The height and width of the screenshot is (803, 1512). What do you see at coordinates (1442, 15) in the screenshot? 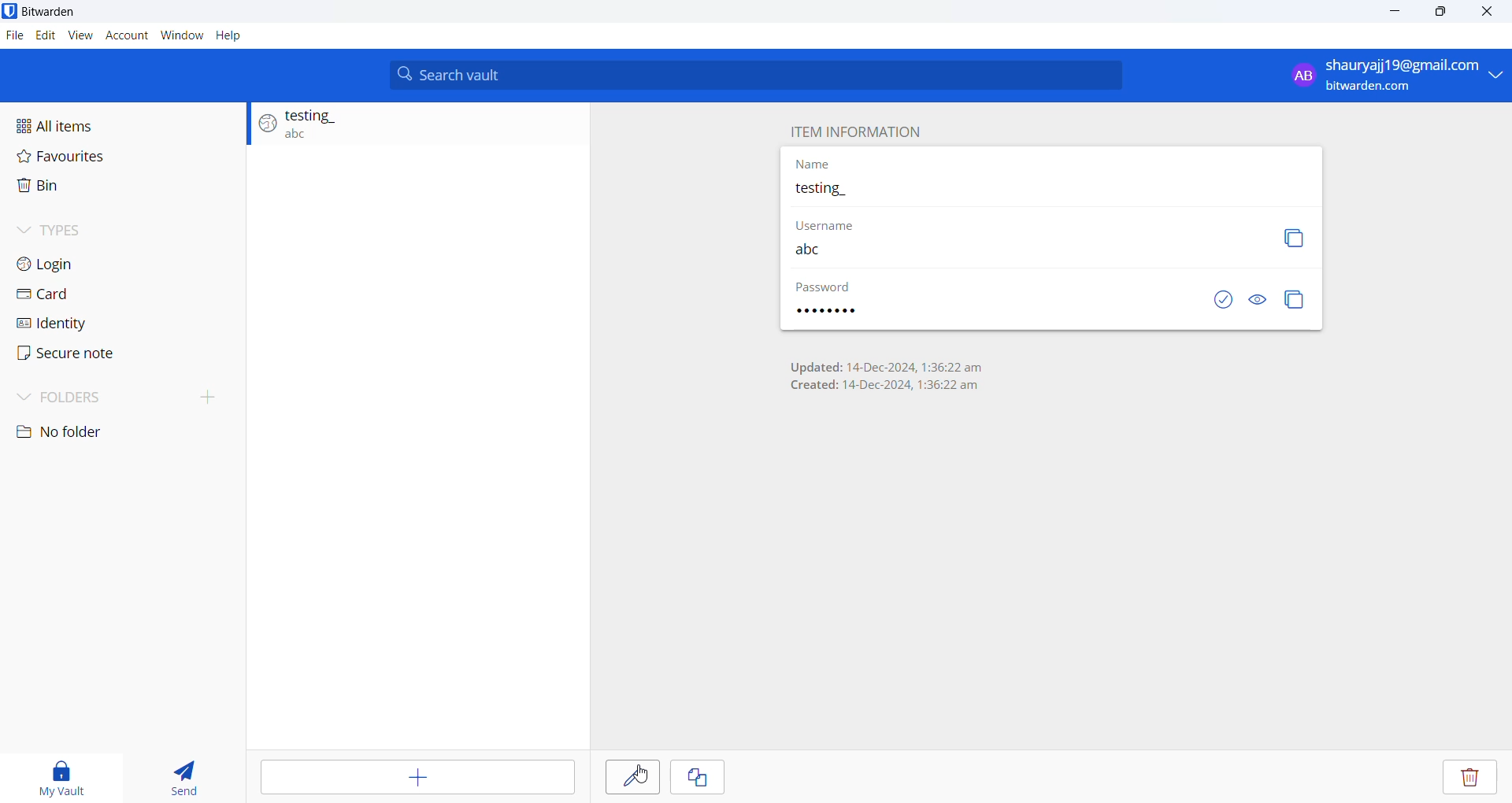
I see `maximise` at bounding box center [1442, 15].